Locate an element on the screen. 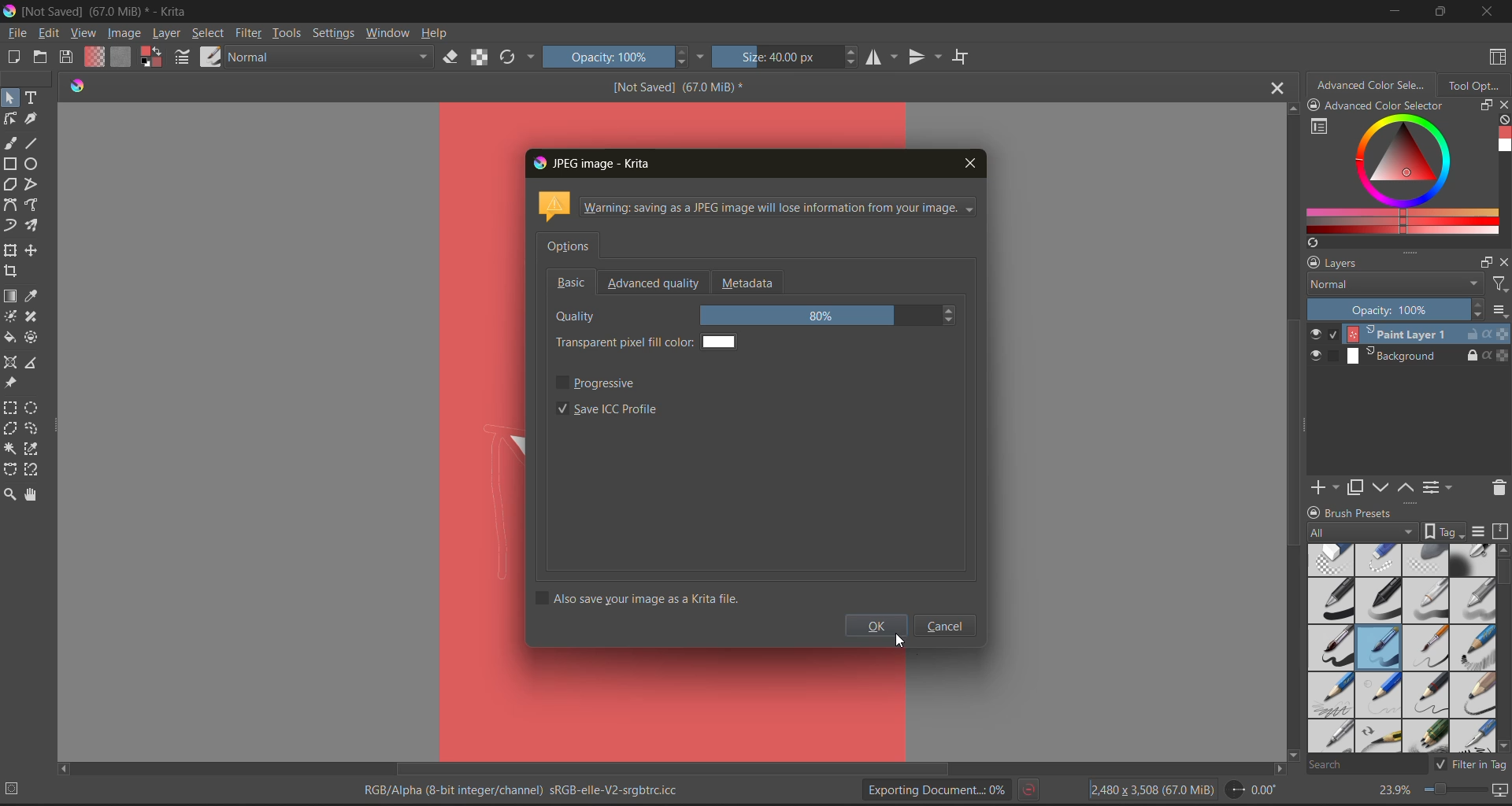  fill gradients is located at coordinates (95, 57).